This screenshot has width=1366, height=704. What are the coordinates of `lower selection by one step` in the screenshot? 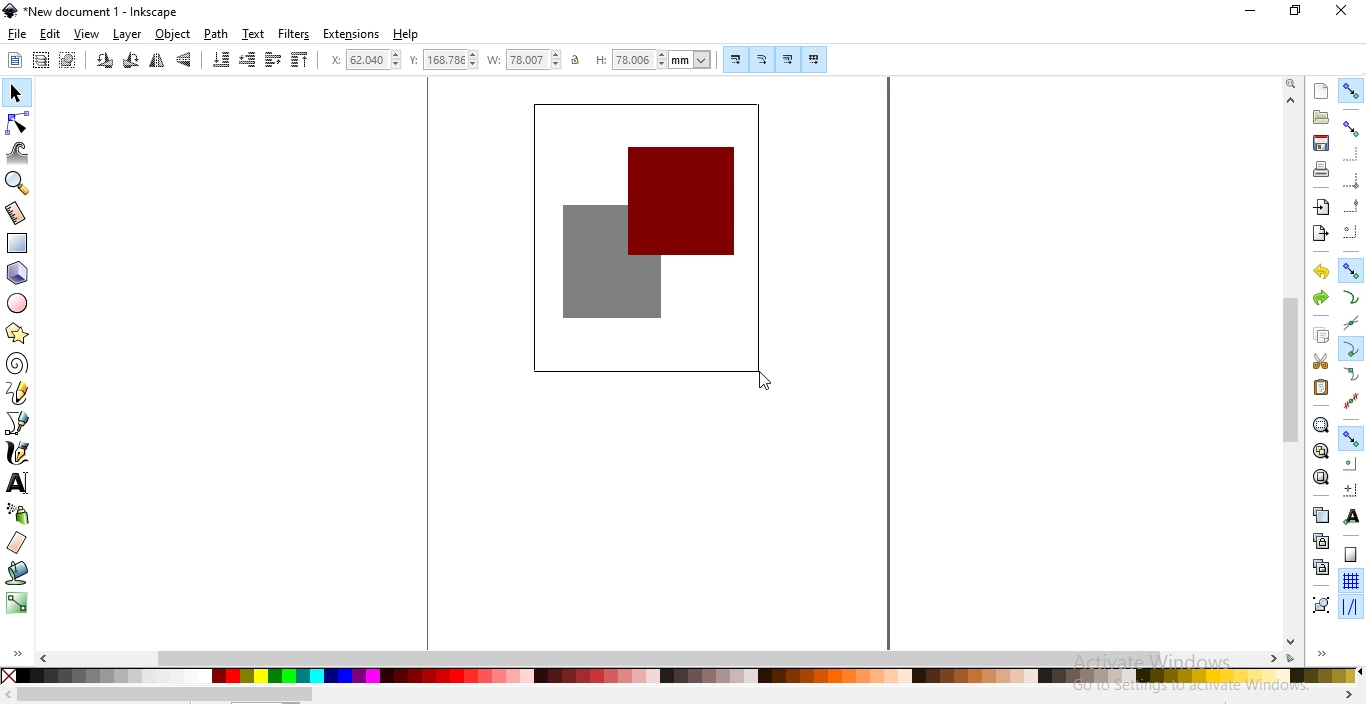 It's located at (247, 60).